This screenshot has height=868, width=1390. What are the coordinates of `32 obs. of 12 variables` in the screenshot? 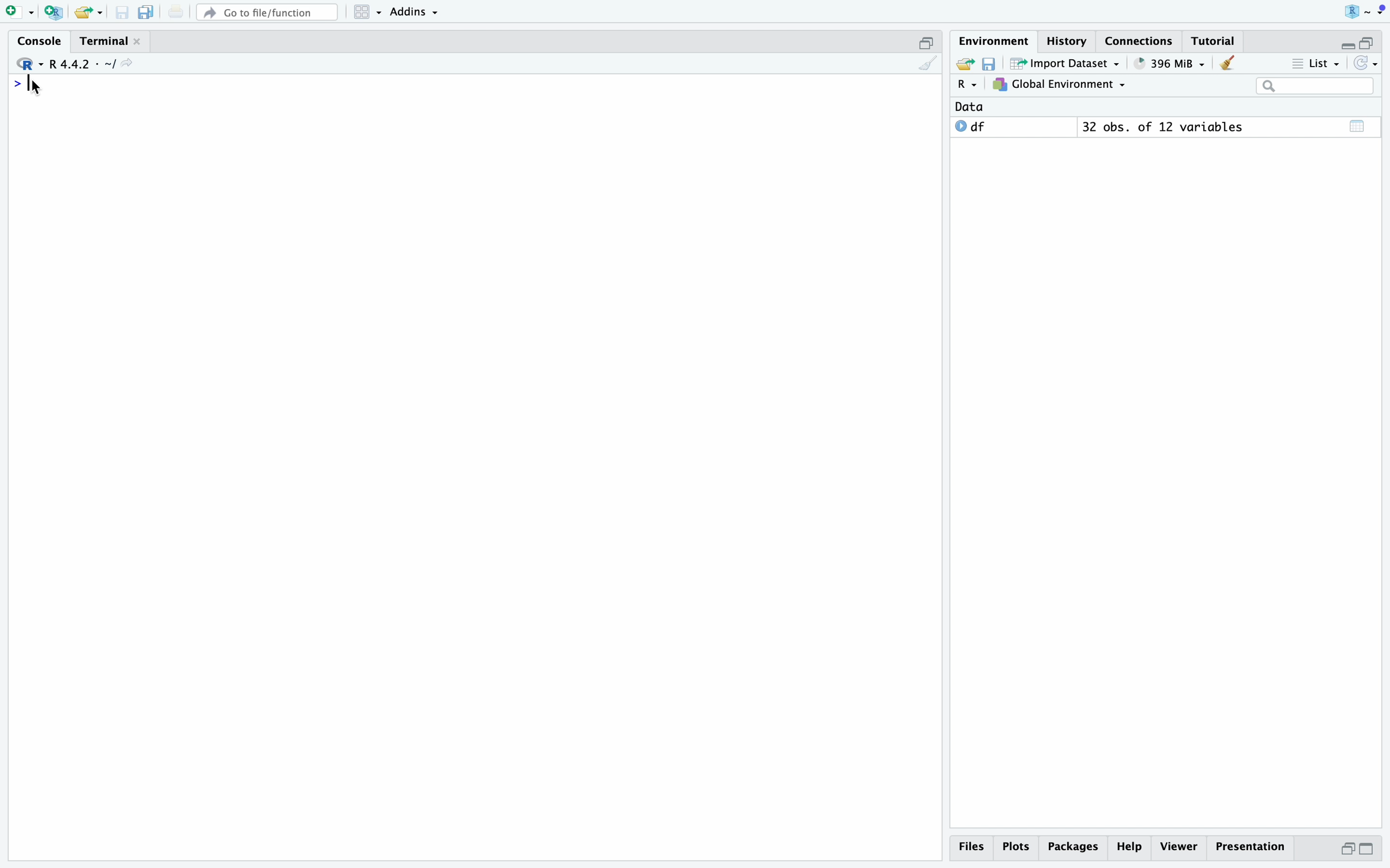 It's located at (1163, 126).